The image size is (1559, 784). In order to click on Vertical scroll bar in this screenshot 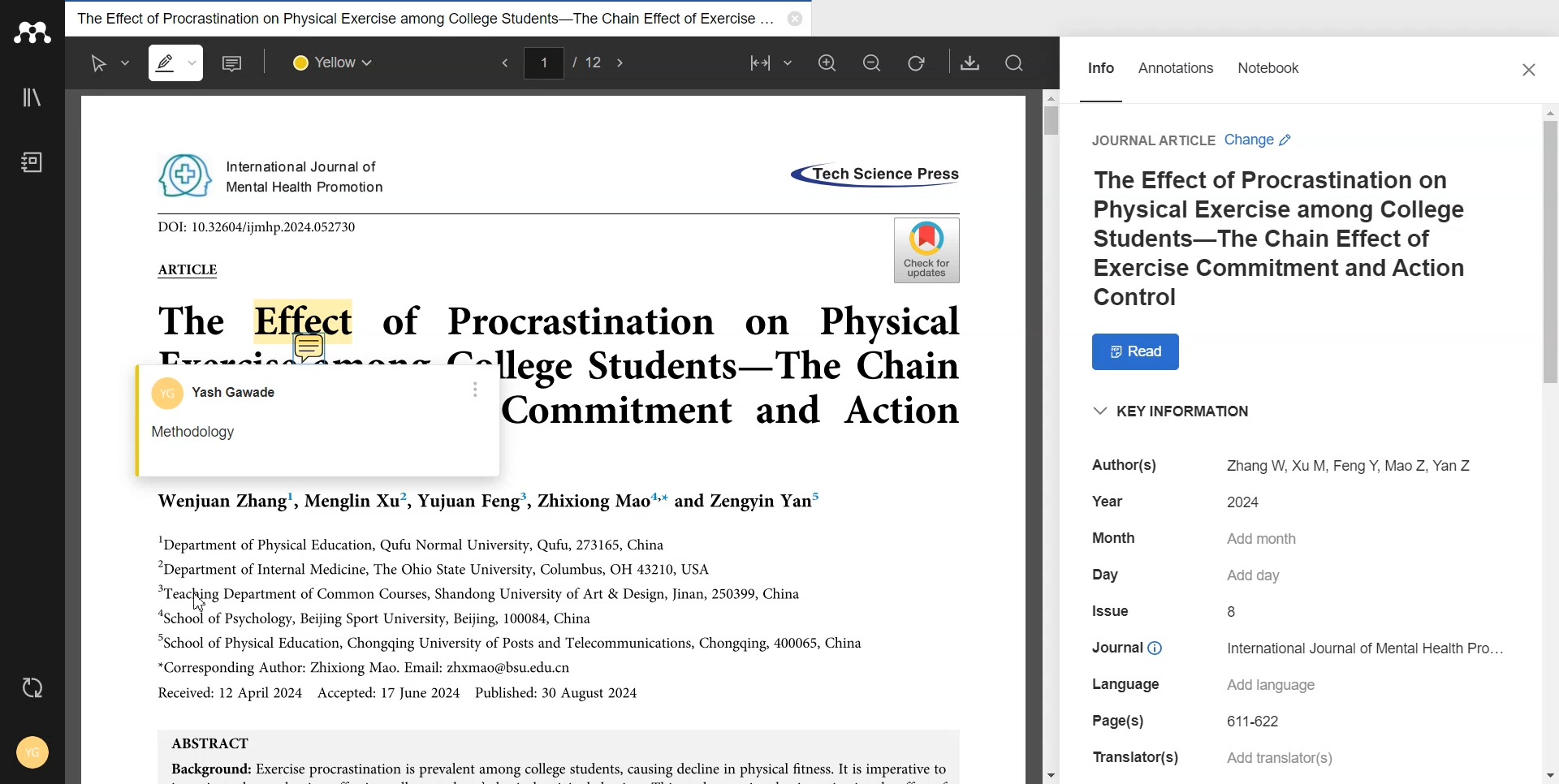, I will do `click(1549, 442)`.